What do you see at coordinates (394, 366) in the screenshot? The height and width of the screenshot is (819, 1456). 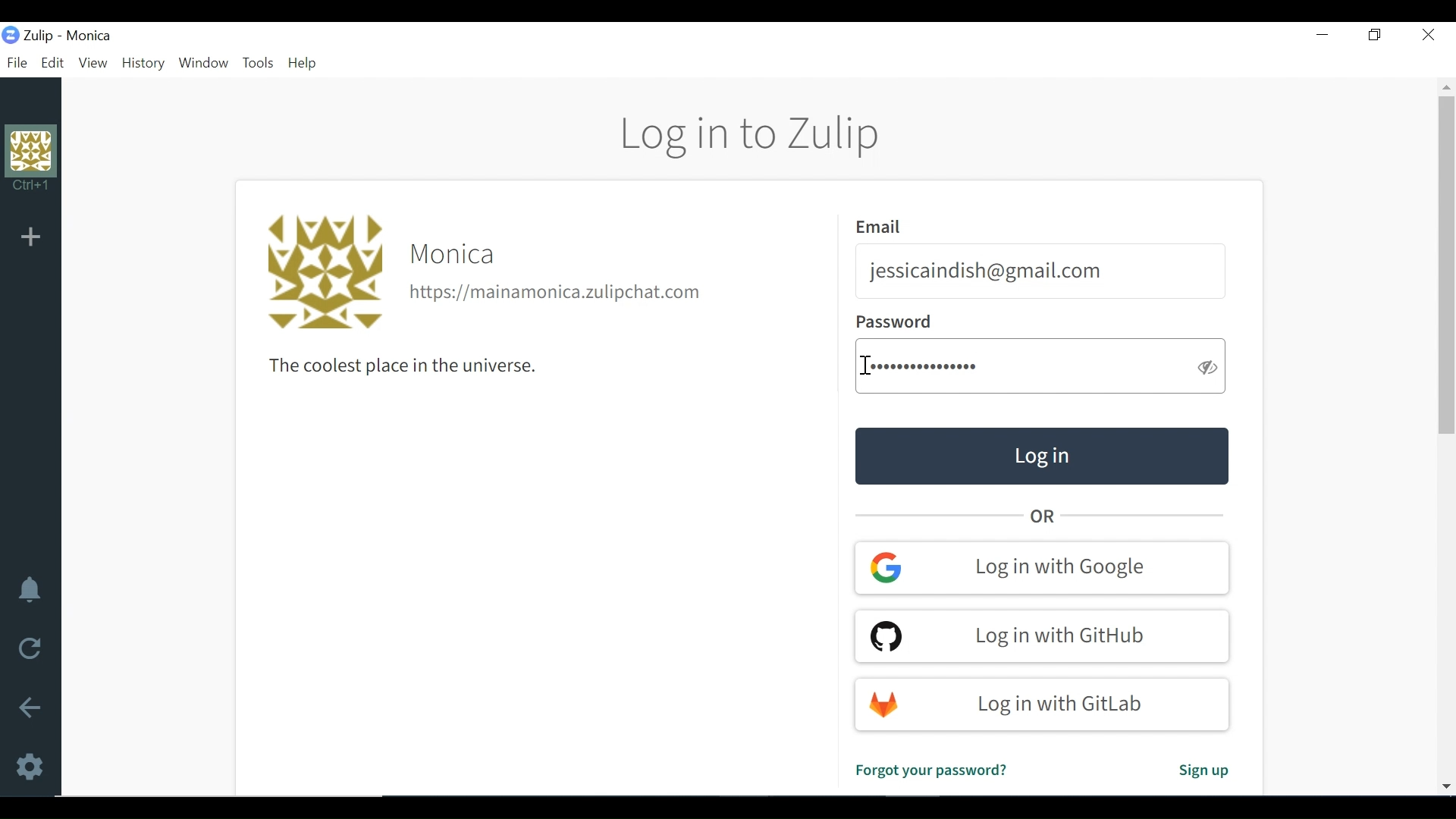 I see `The coolest place in the universe.` at bounding box center [394, 366].